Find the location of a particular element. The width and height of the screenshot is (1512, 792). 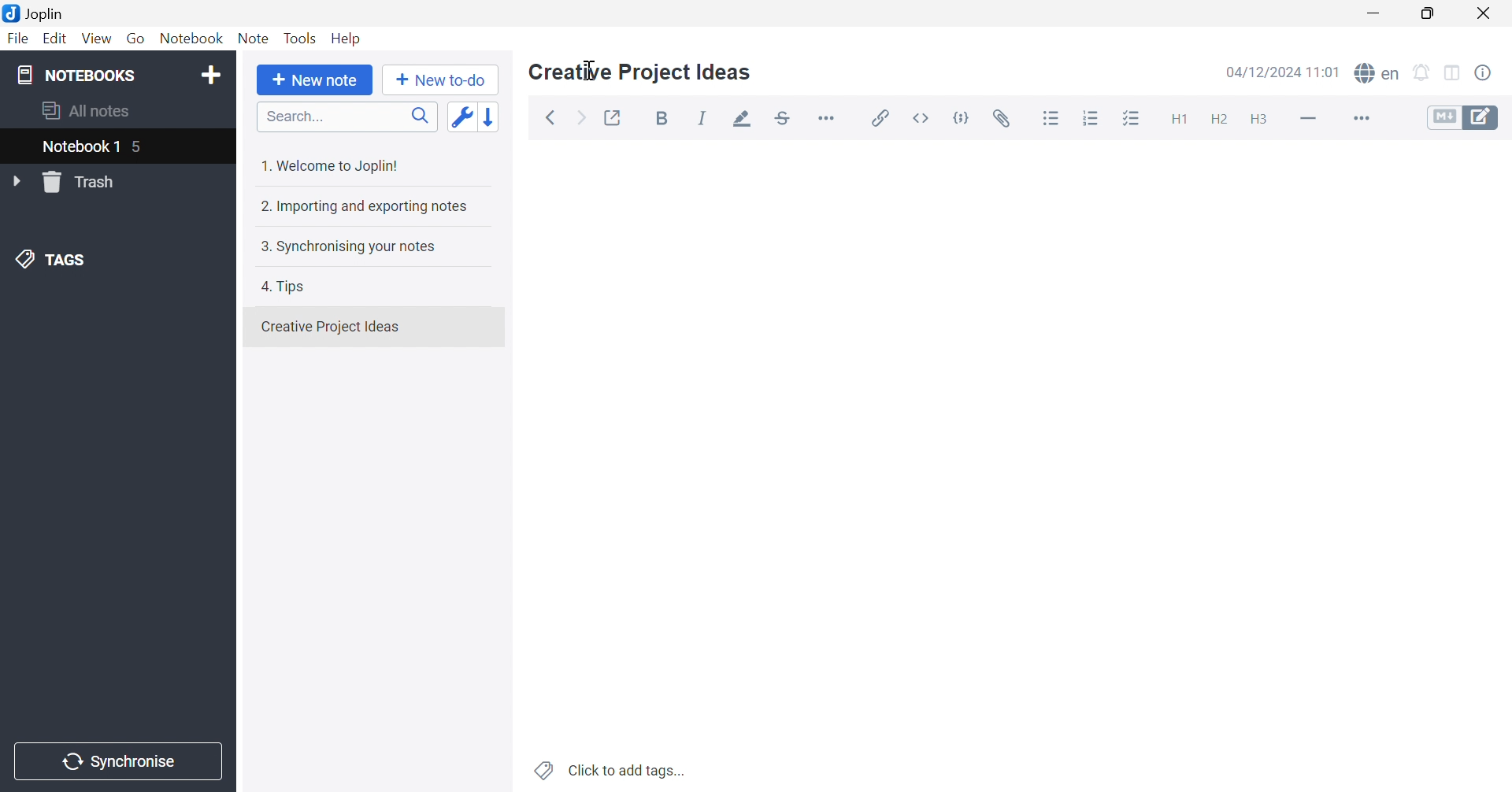

cursor is located at coordinates (591, 69).